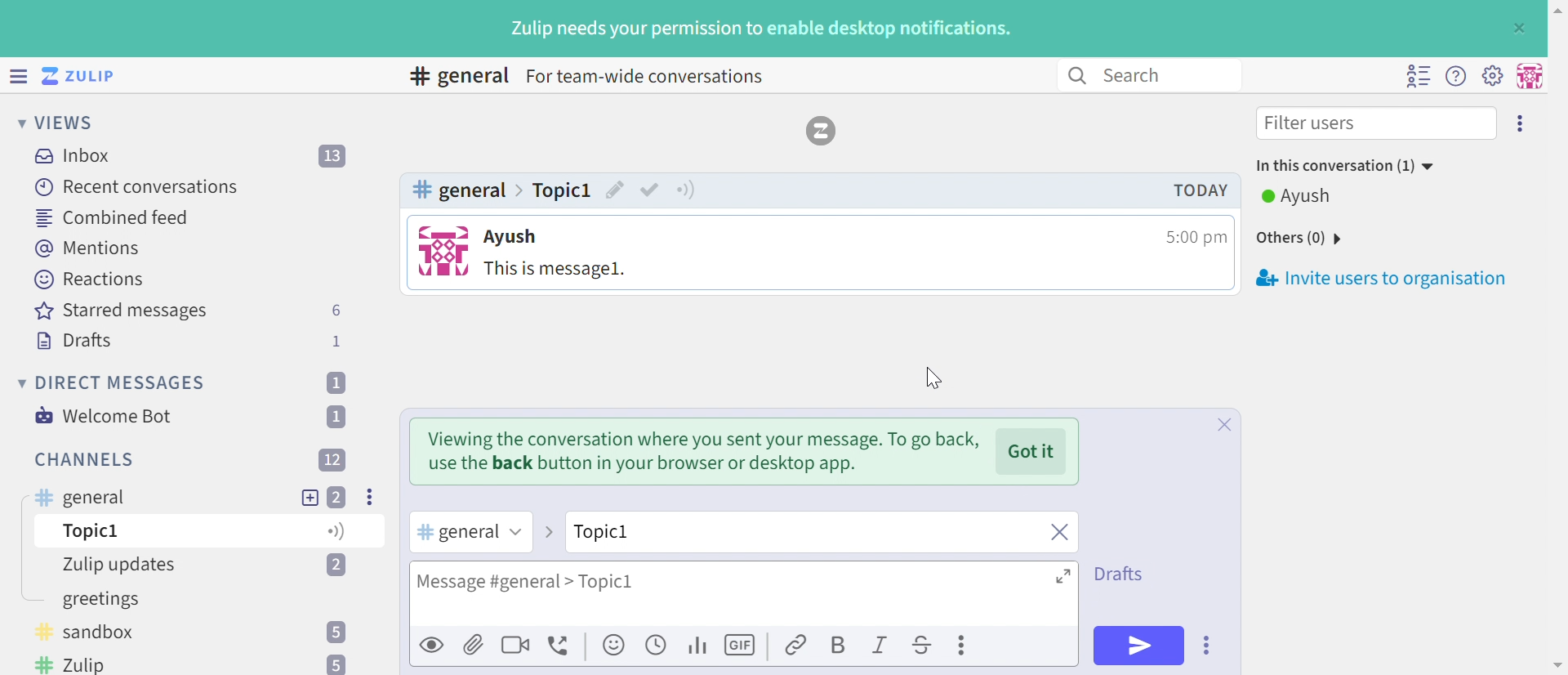 The height and width of the screenshot is (675, 1568). I want to click on options, so click(372, 496).